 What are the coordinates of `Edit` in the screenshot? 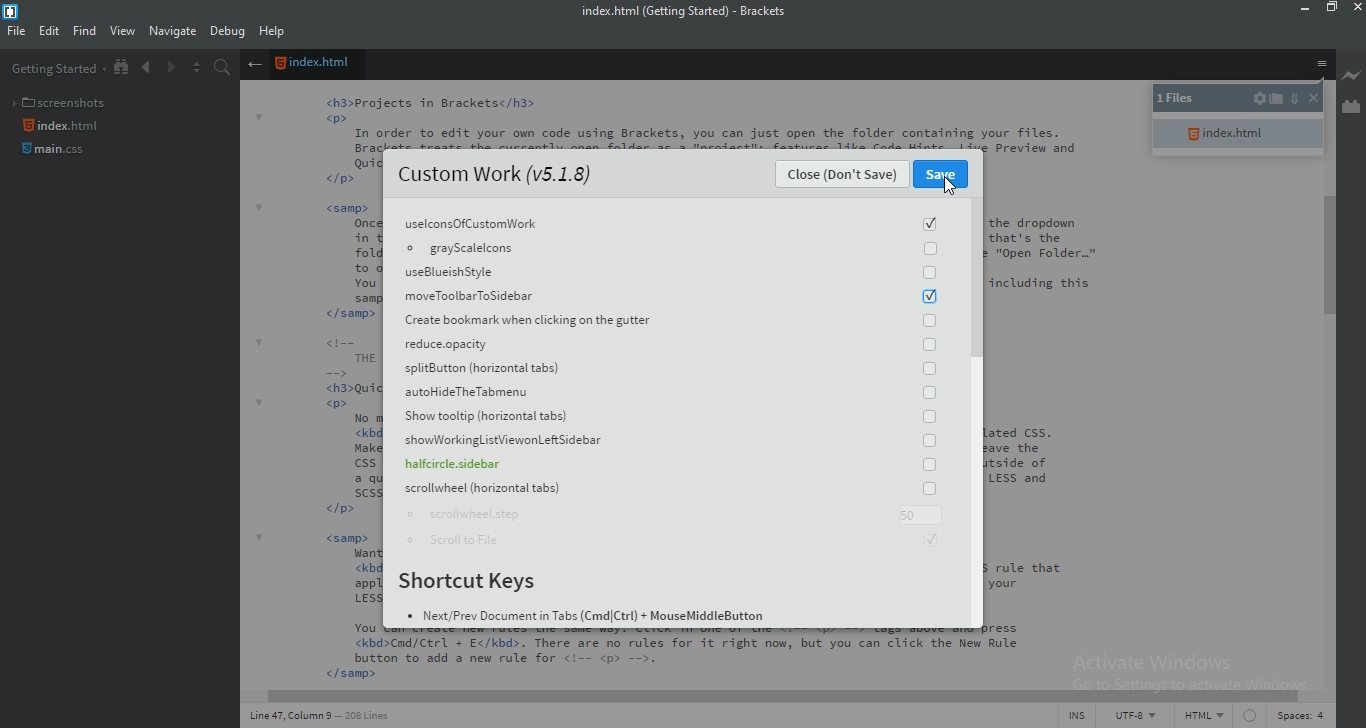 It's located at (49, 33).